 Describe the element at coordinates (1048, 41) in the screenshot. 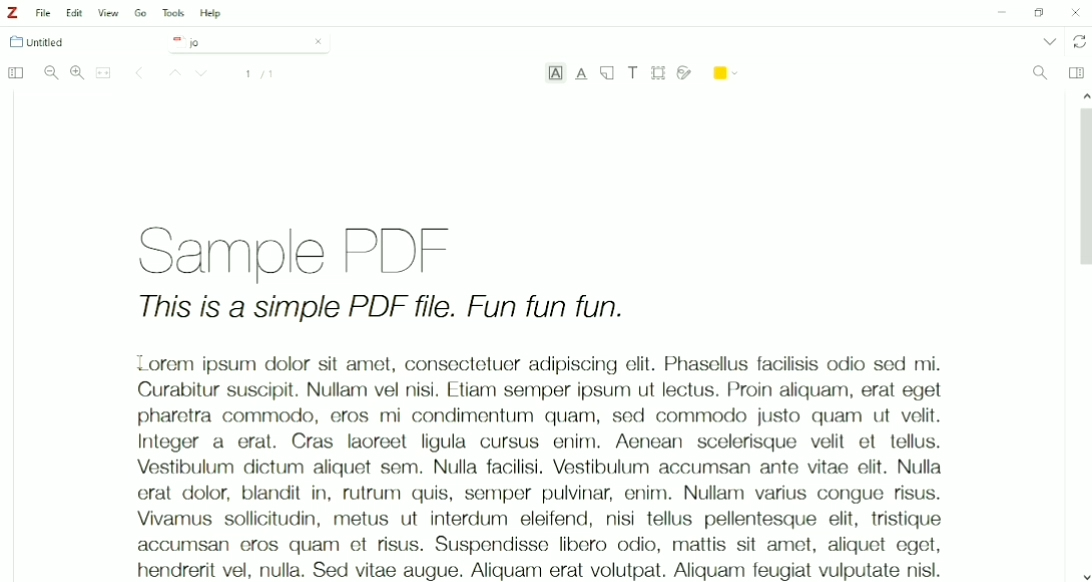

I see `List all tabs` at that location.